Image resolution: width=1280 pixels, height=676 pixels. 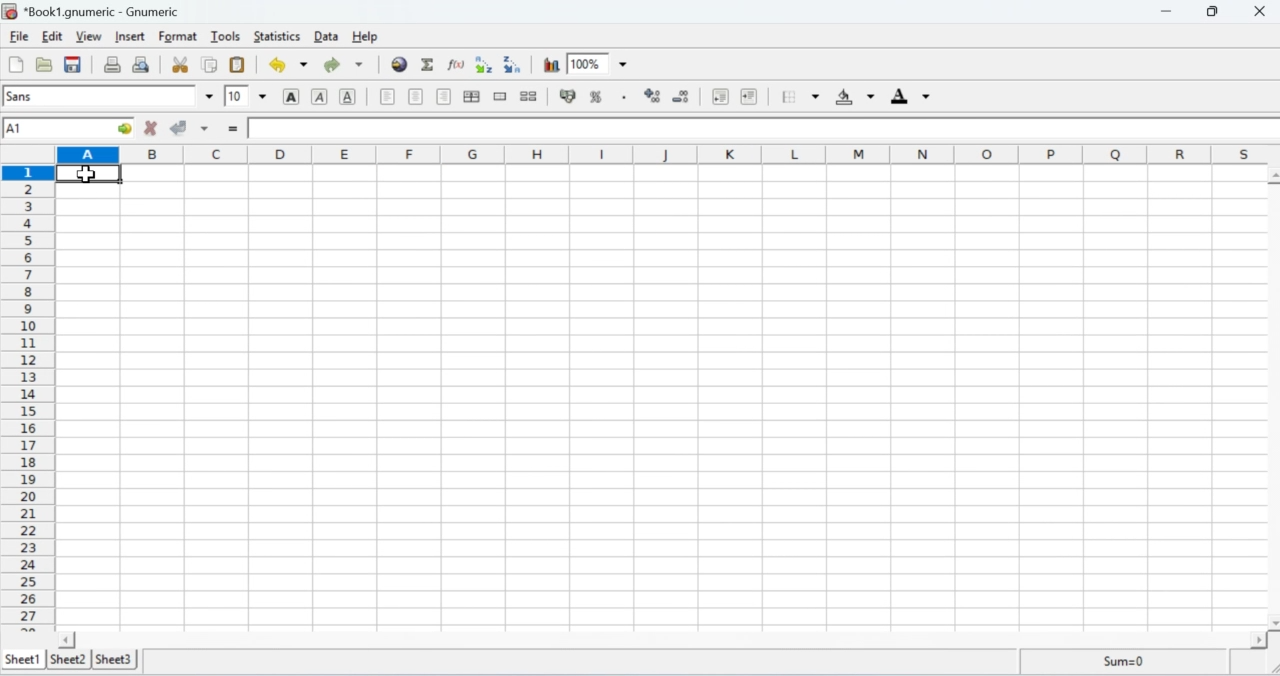 I want to click on Save the current workbook, so click(x=74, y=64).